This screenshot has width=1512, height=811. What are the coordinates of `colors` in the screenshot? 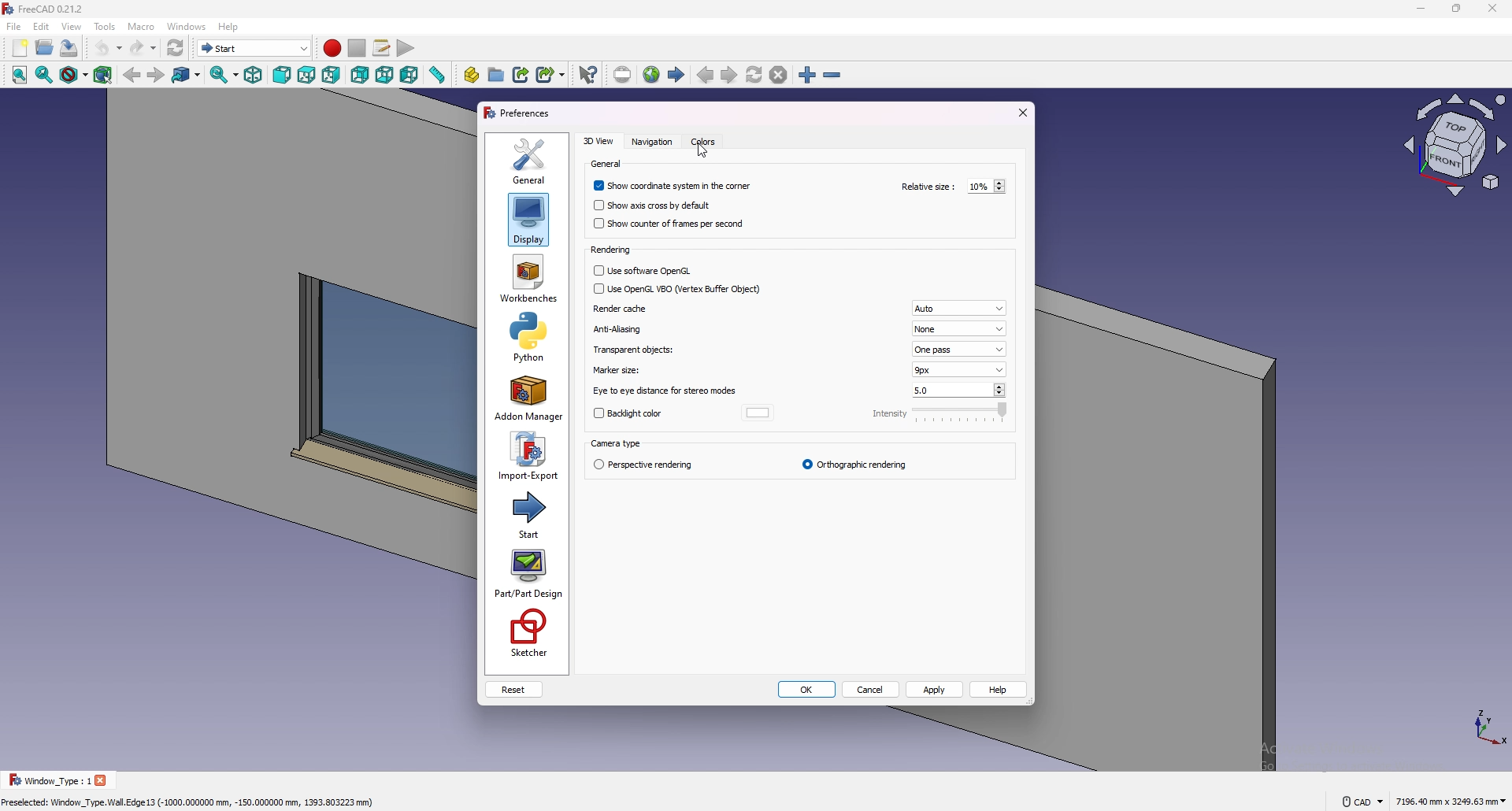 It's located at (702, 142).